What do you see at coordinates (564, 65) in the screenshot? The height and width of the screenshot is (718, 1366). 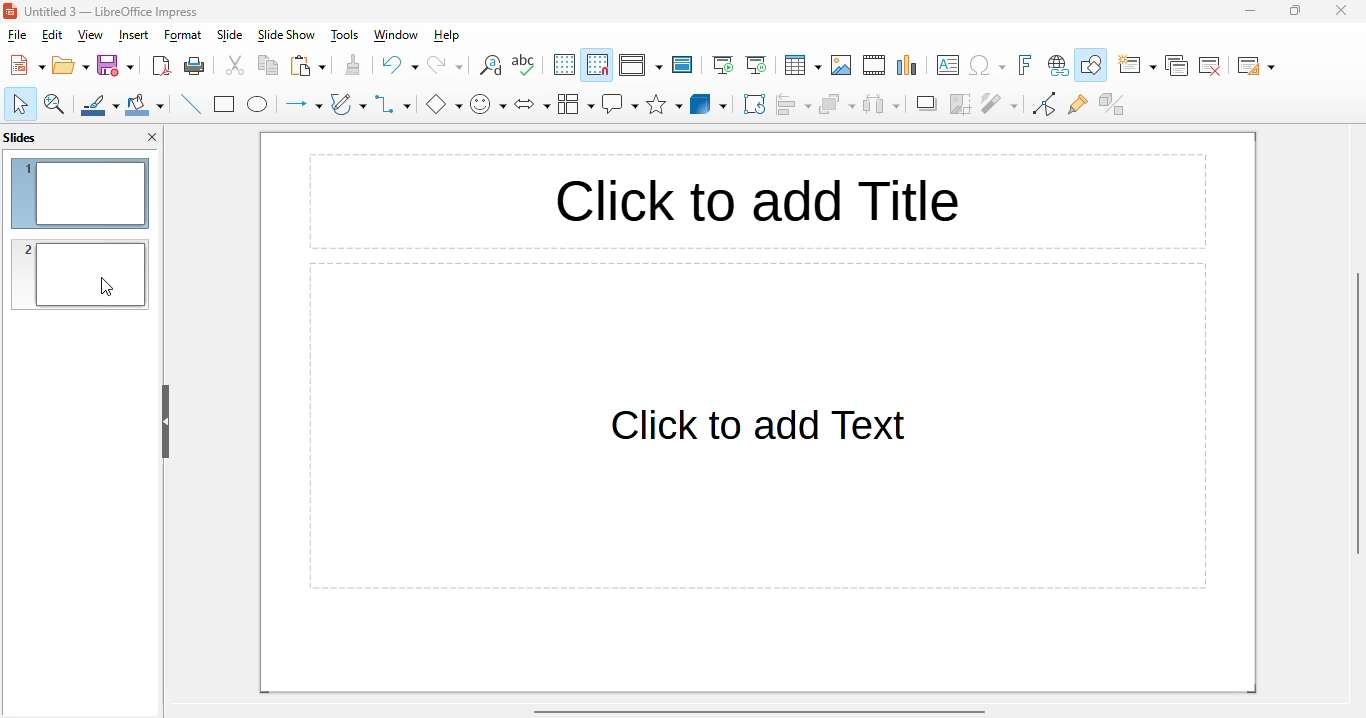 I see `display grid` at bounding box center [564, 65].